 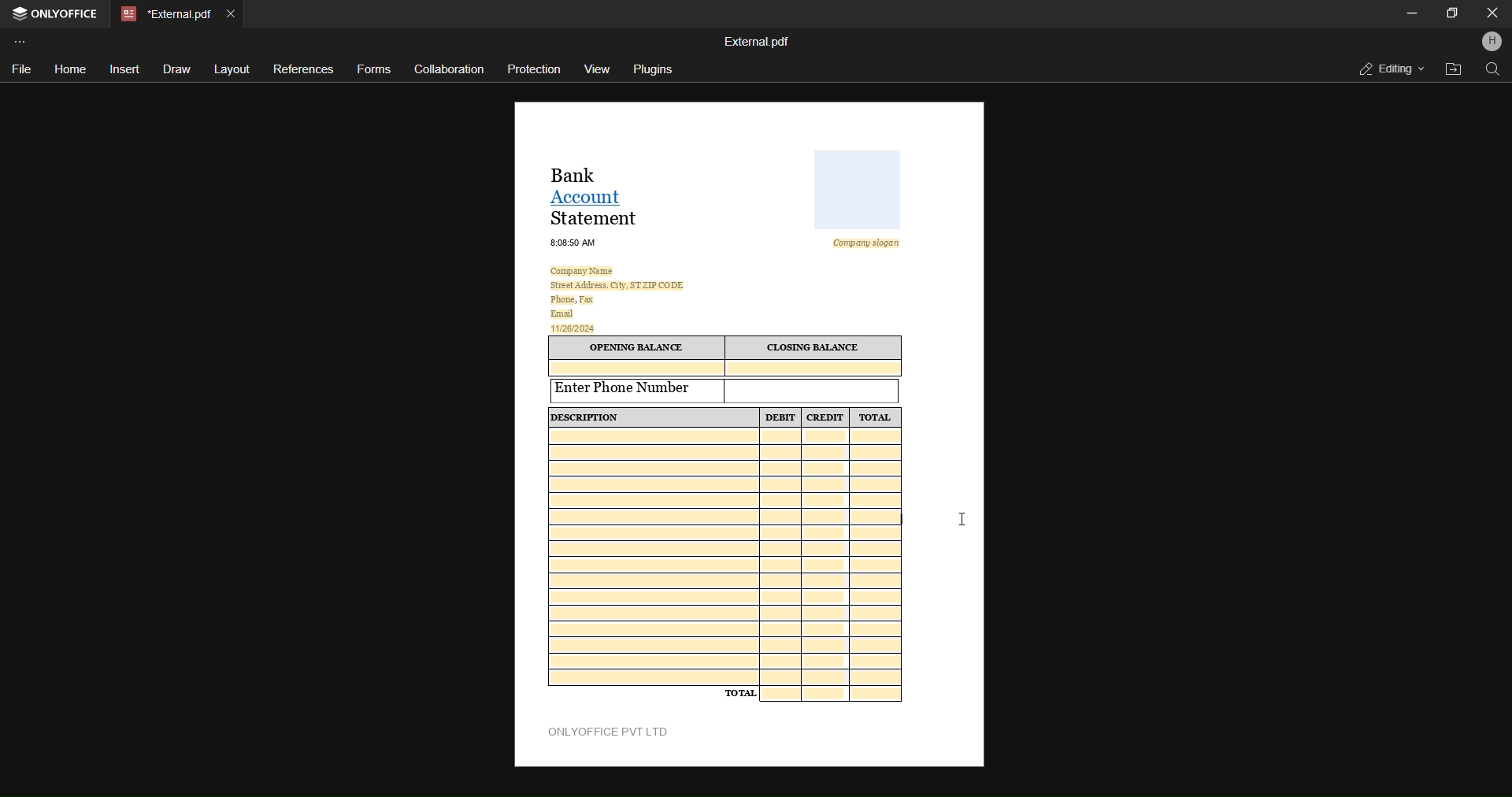 What do you see at coordinates (572, 300) in the screenshot?
I see `‘Phone, Fax` at bounding box center [572, 300].